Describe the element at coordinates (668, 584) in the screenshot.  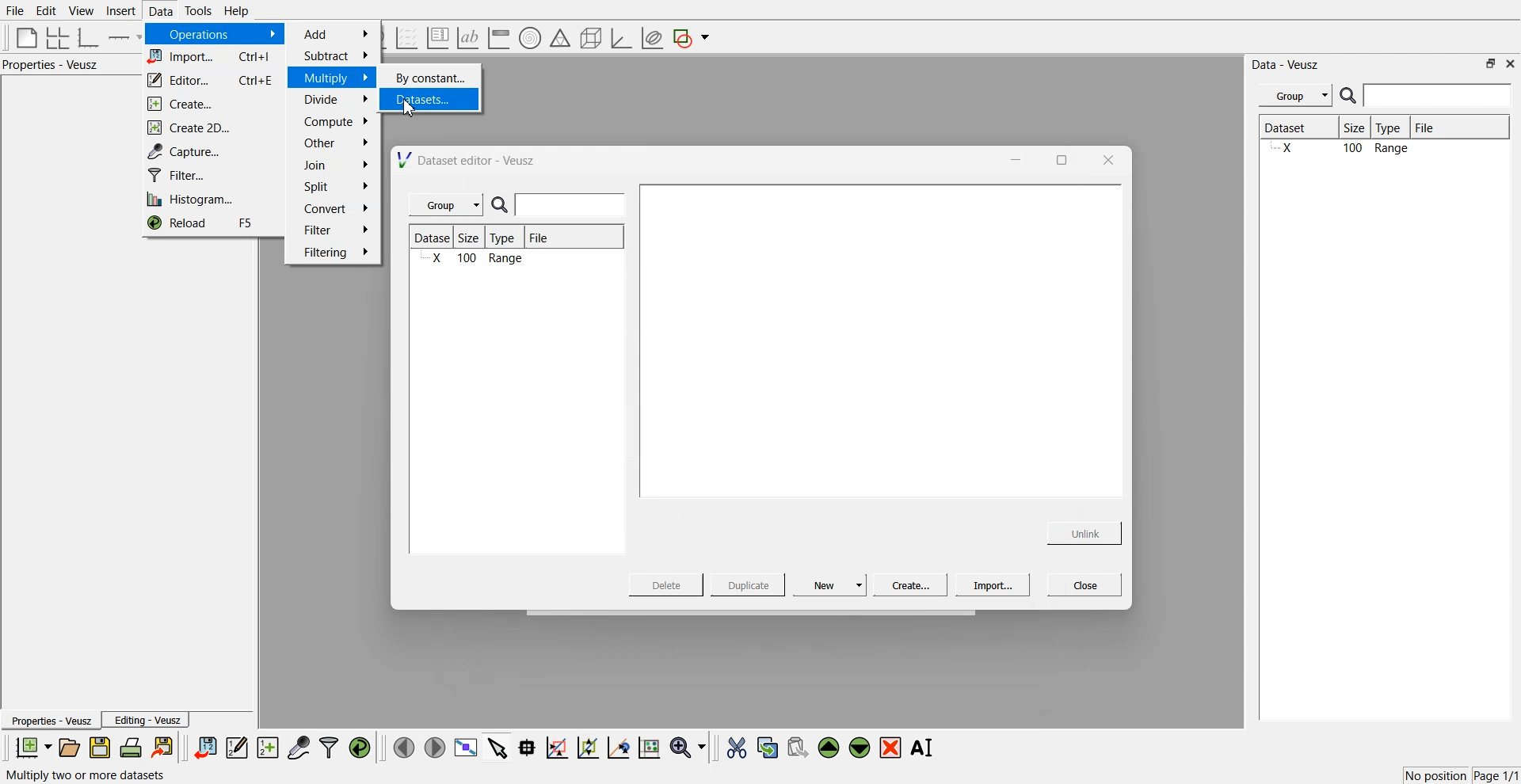
I see `Delete` at that location.